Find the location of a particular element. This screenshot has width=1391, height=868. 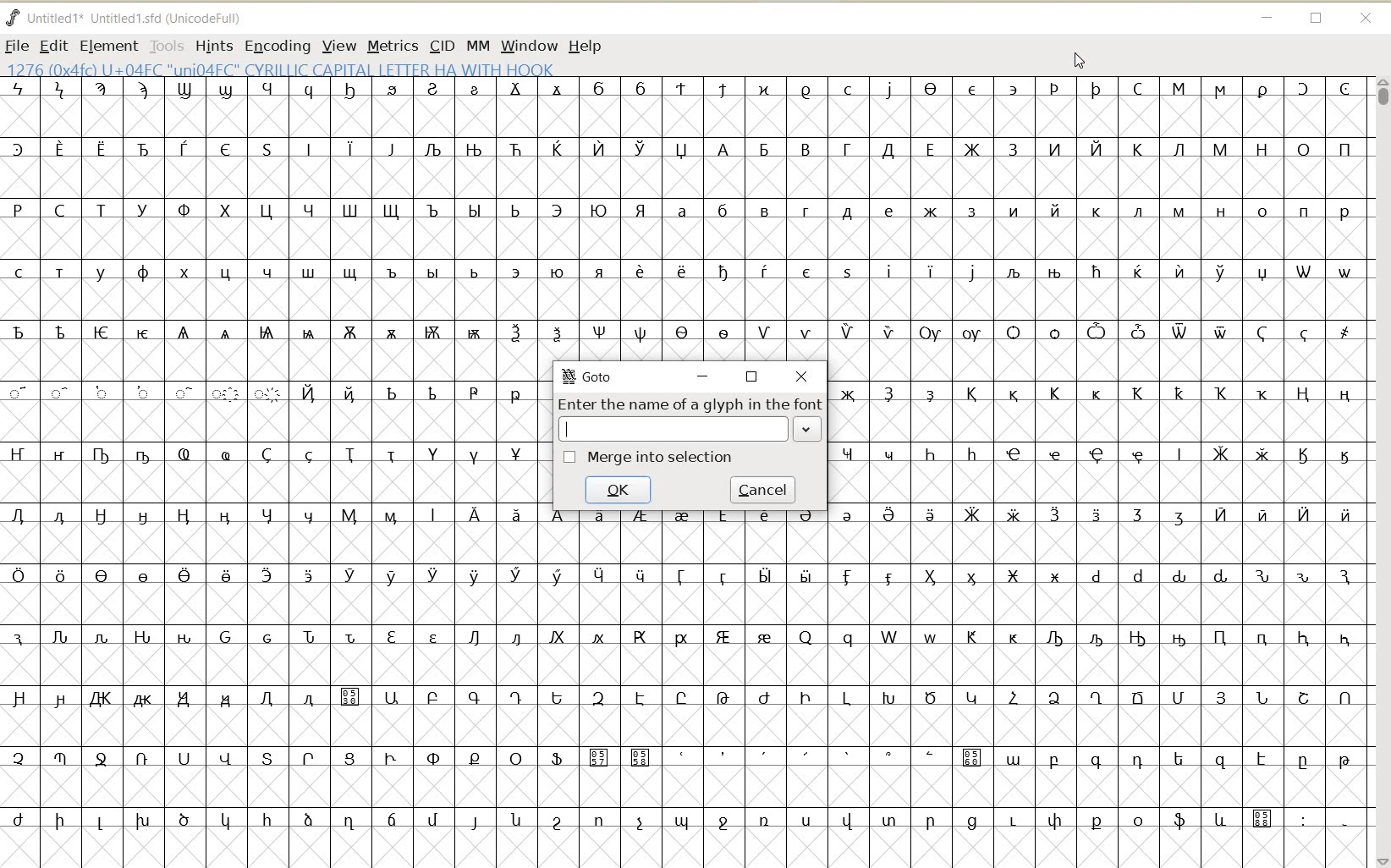

SCROLLBAR is located at coordinates (1381, 471).